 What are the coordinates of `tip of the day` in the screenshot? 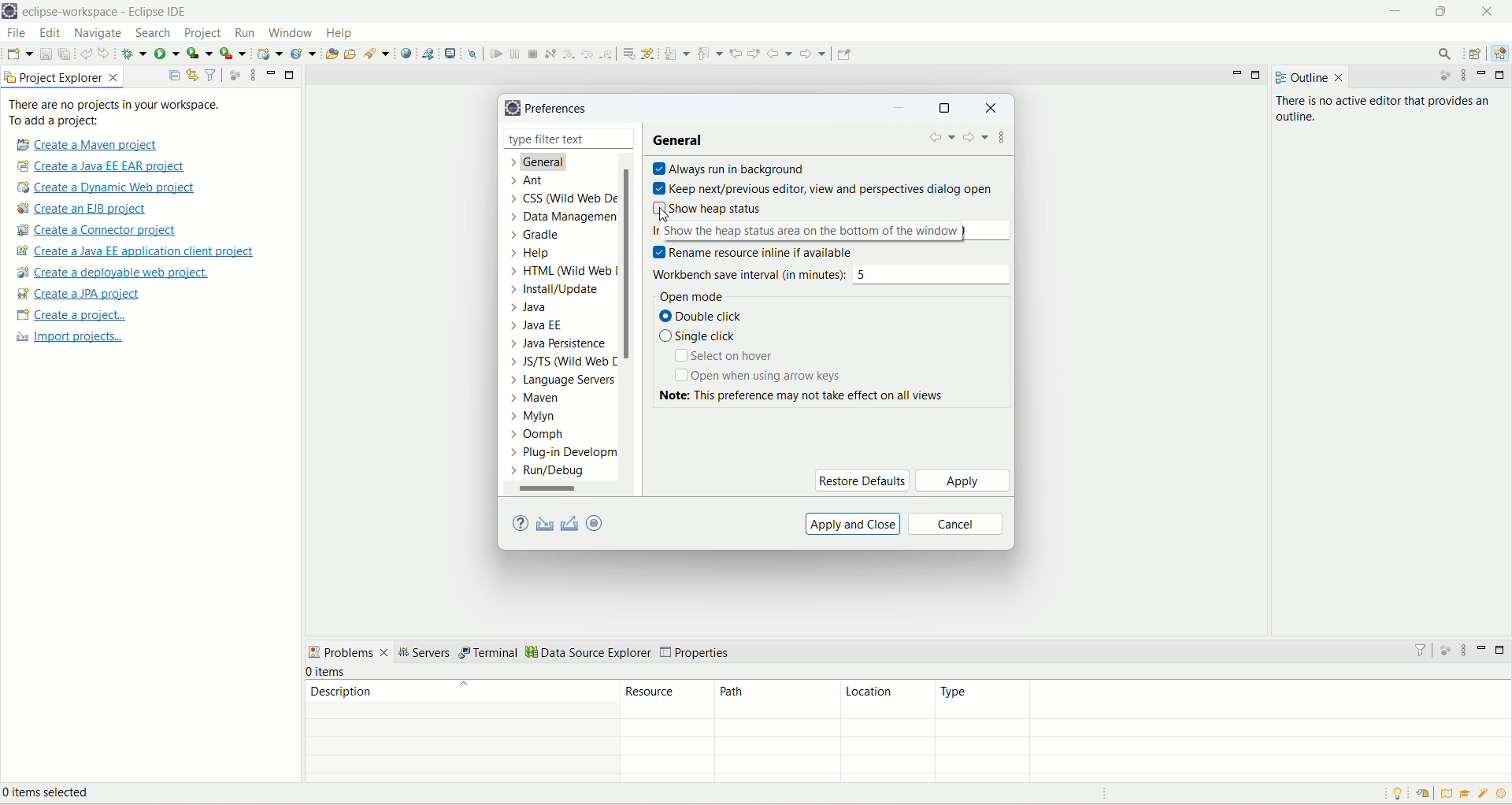 It's located at (1502, 793).